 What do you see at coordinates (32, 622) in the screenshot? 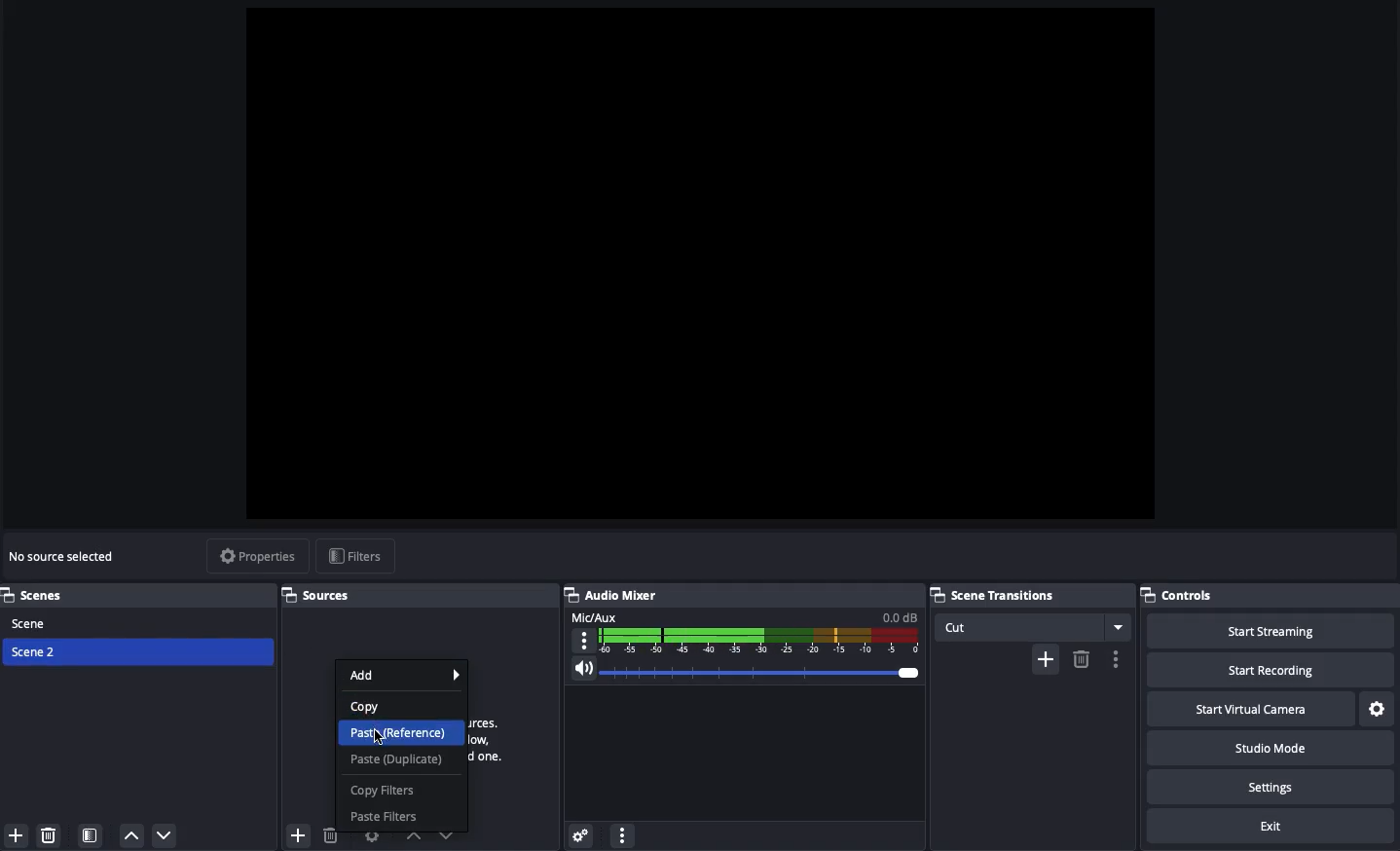
I see `Scene 1` at bounding box center [32, 622].